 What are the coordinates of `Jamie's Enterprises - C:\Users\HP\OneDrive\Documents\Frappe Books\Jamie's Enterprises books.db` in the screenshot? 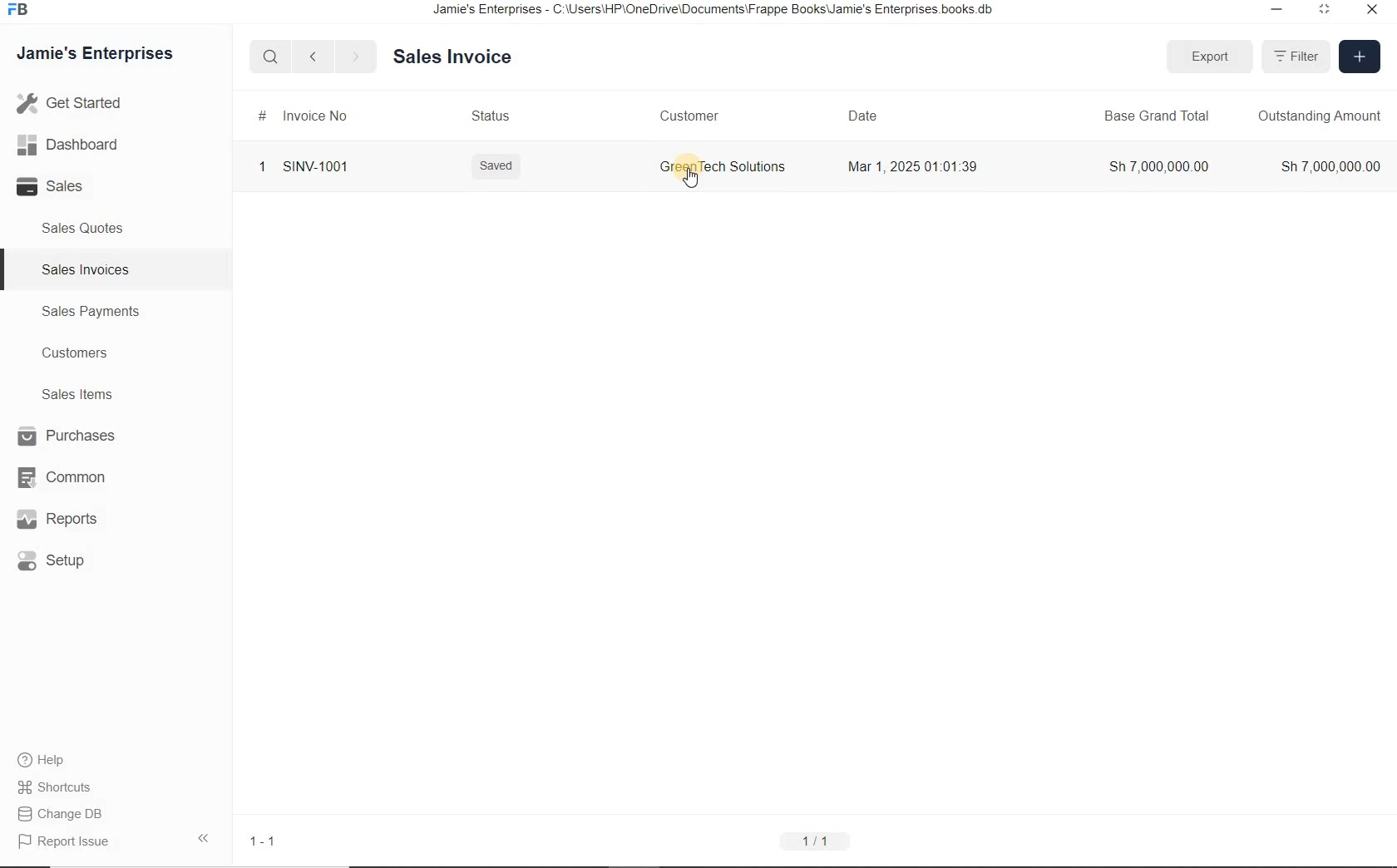 It's located at (718, 11).